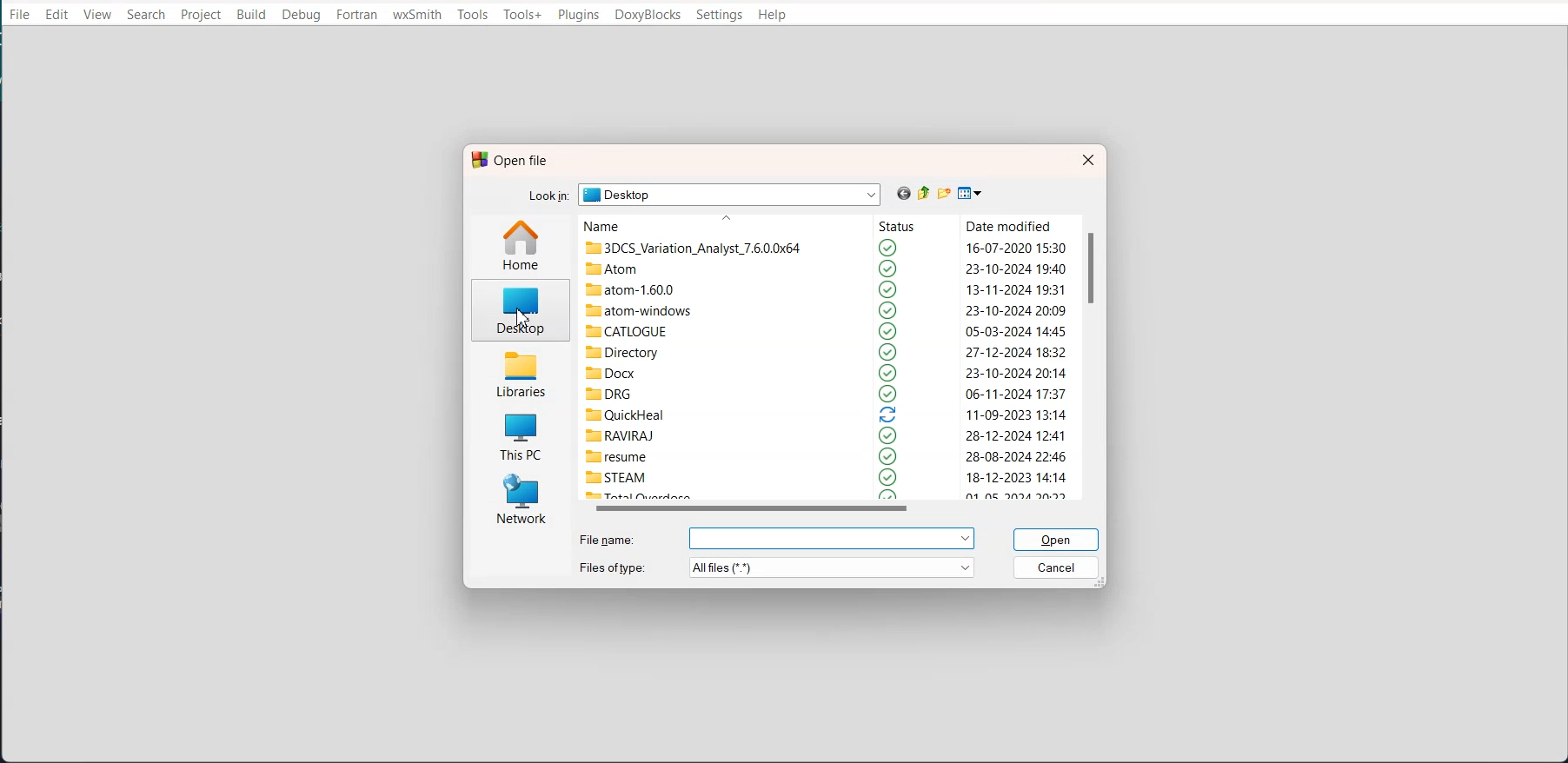 This screenshot has height=763, width=1568. I want to click on Libraries, so click(522, 371).